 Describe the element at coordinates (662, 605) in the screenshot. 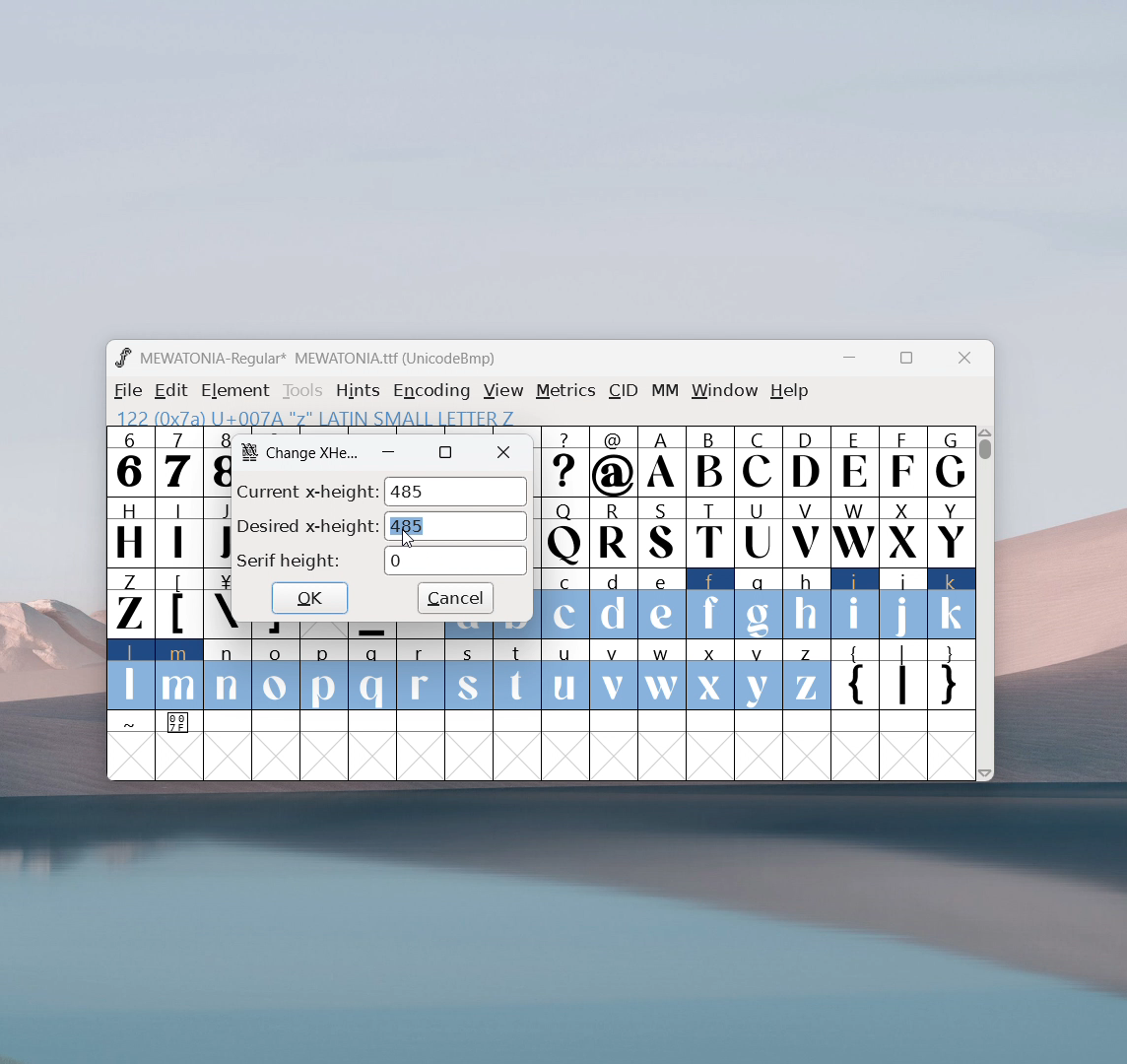

I see `e` at that location.